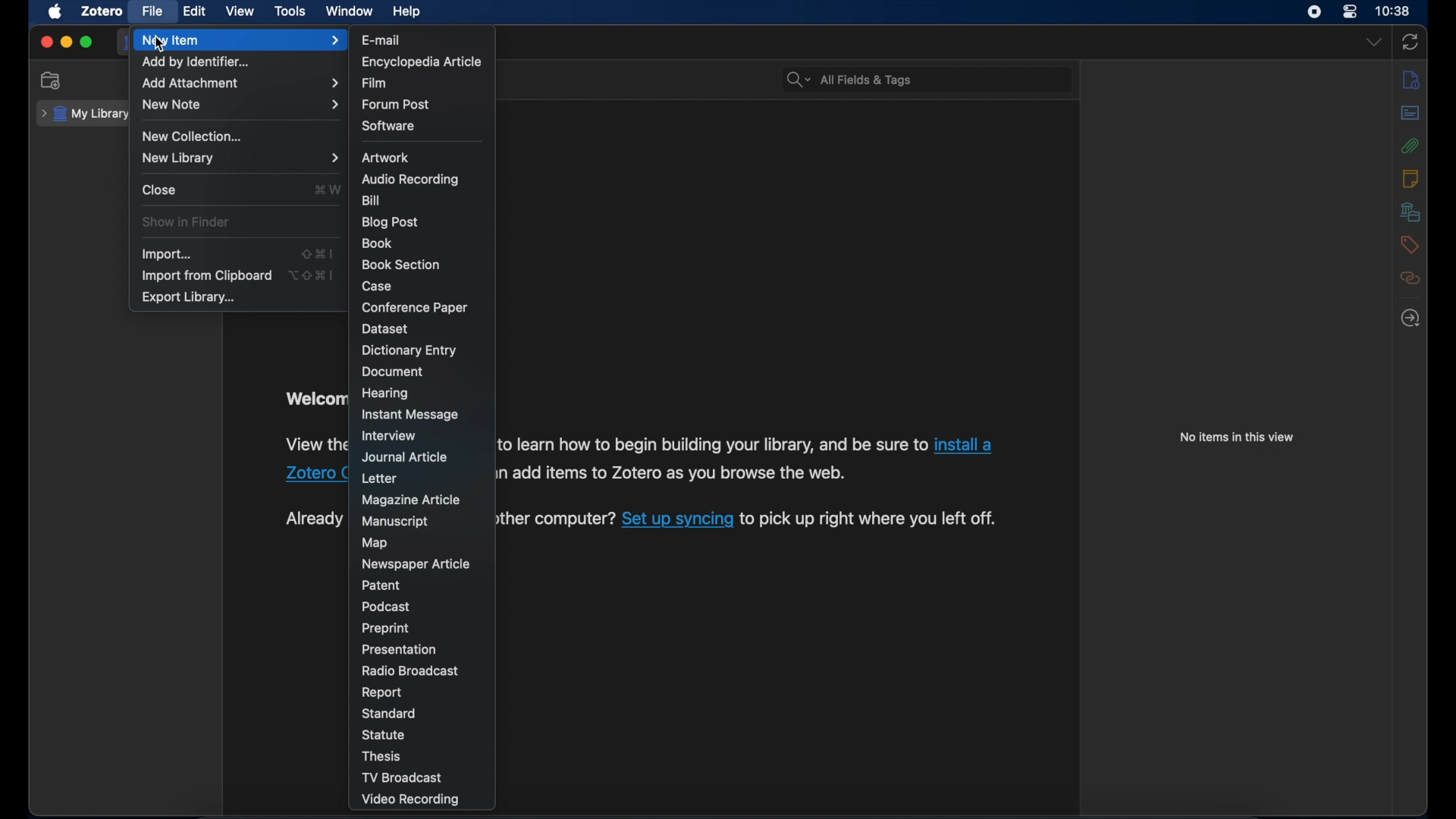 This screenshot has height=819, width=1456. I want to click on podcast, so click(386, 607).